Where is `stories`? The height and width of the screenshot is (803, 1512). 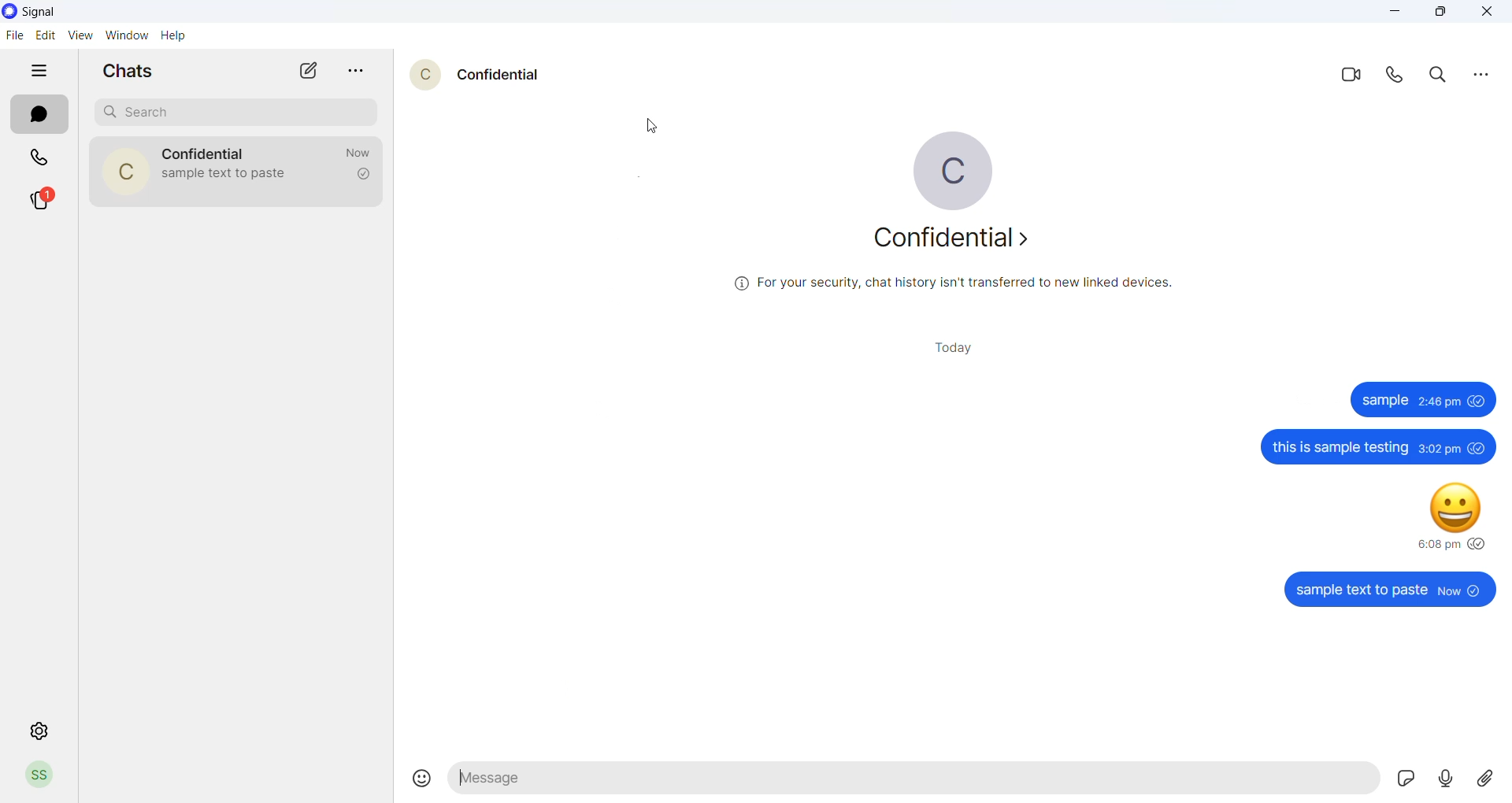
stories is located at coordinates (50, 198).